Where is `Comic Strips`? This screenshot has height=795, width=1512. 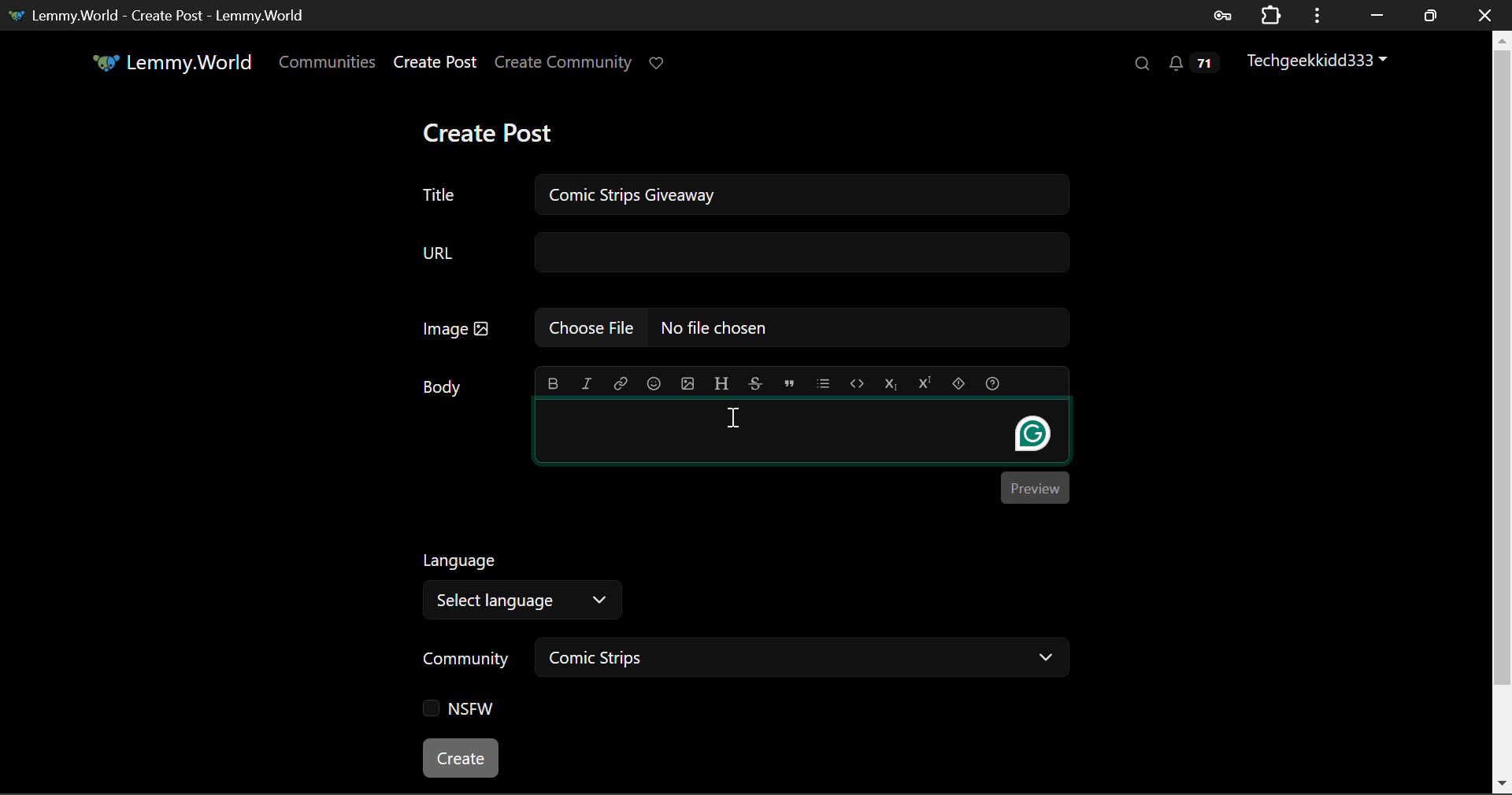 Comic Strips is located at coordinates (804, 656).